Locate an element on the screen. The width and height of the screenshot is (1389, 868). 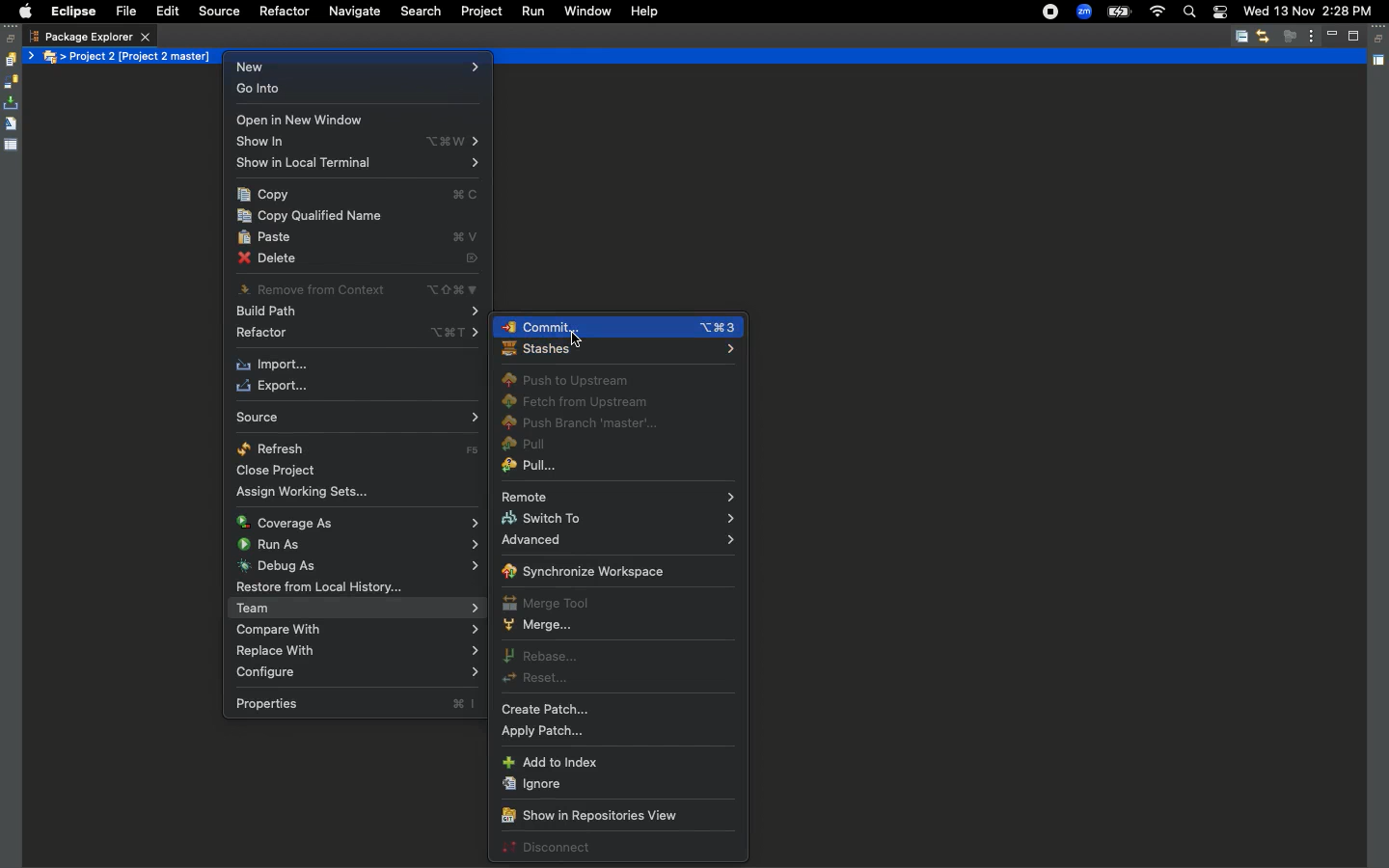
Synchronize is located at coordinates (11, 82).